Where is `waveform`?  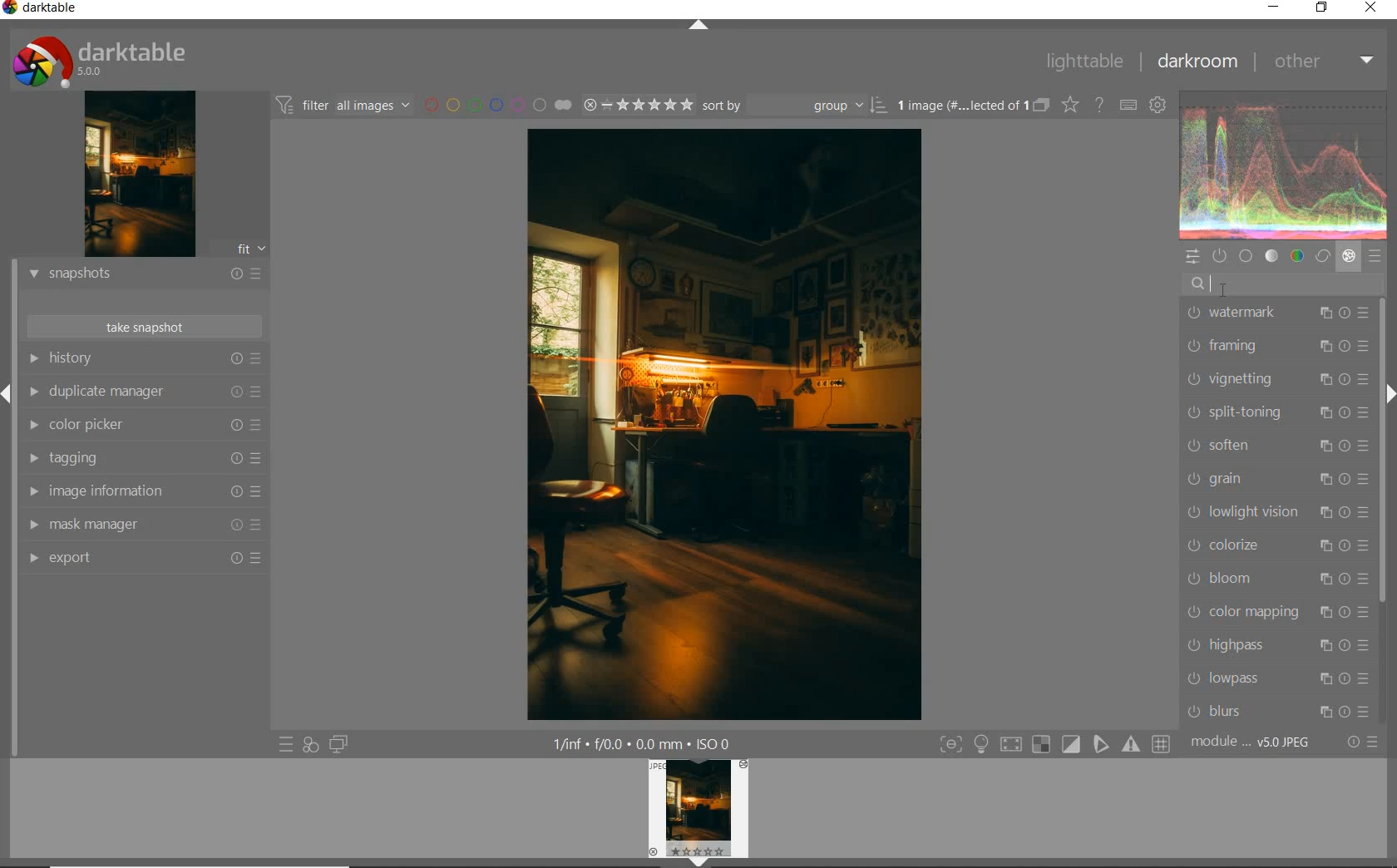 waveform is located at coordinates (1286, 165).